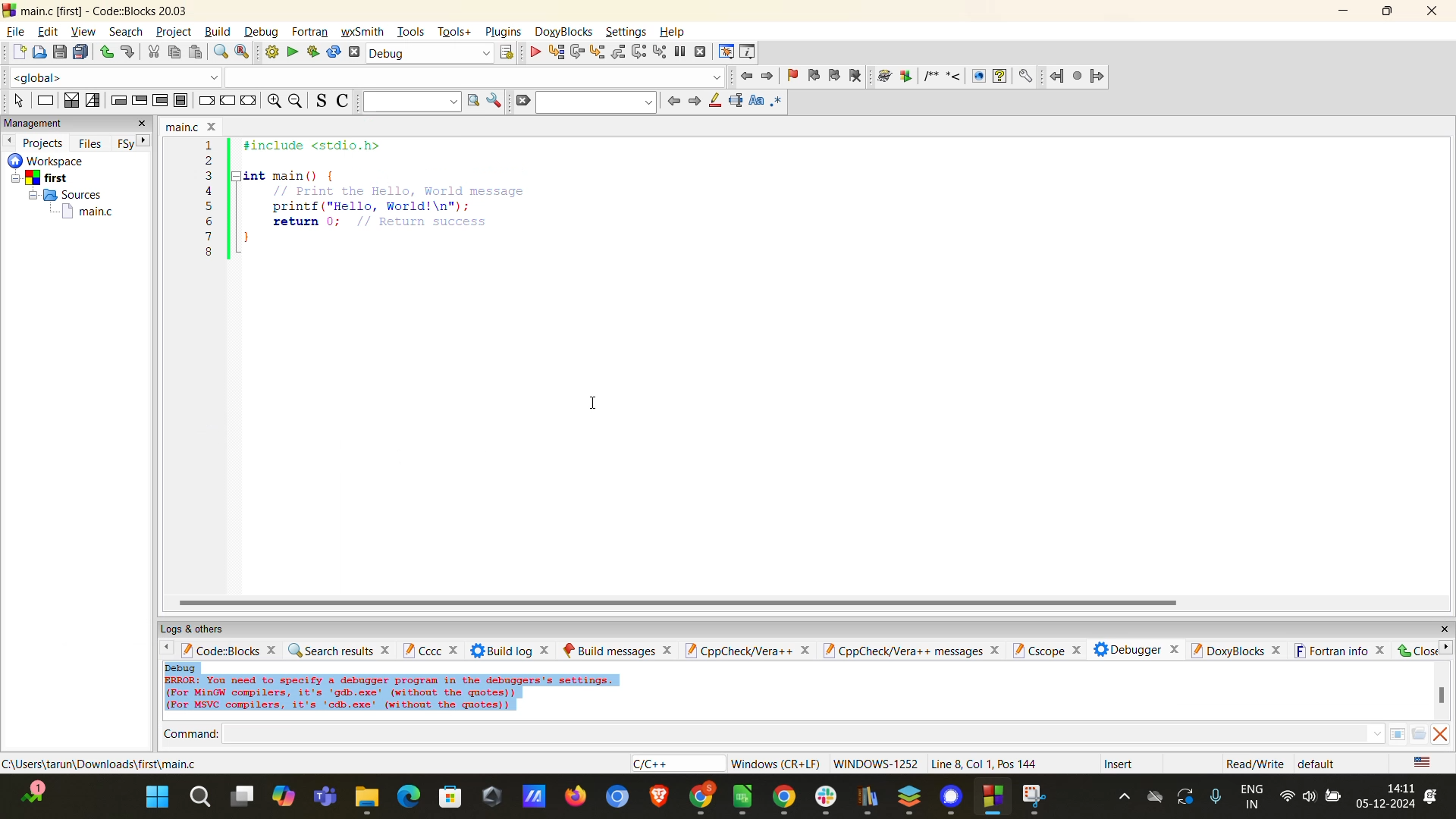 This screenshot has height=819, width=1456. What do you see at coordinates (139, 99) in the screenshot?
I see `exit condition loop` at bounding box center [139, 99].